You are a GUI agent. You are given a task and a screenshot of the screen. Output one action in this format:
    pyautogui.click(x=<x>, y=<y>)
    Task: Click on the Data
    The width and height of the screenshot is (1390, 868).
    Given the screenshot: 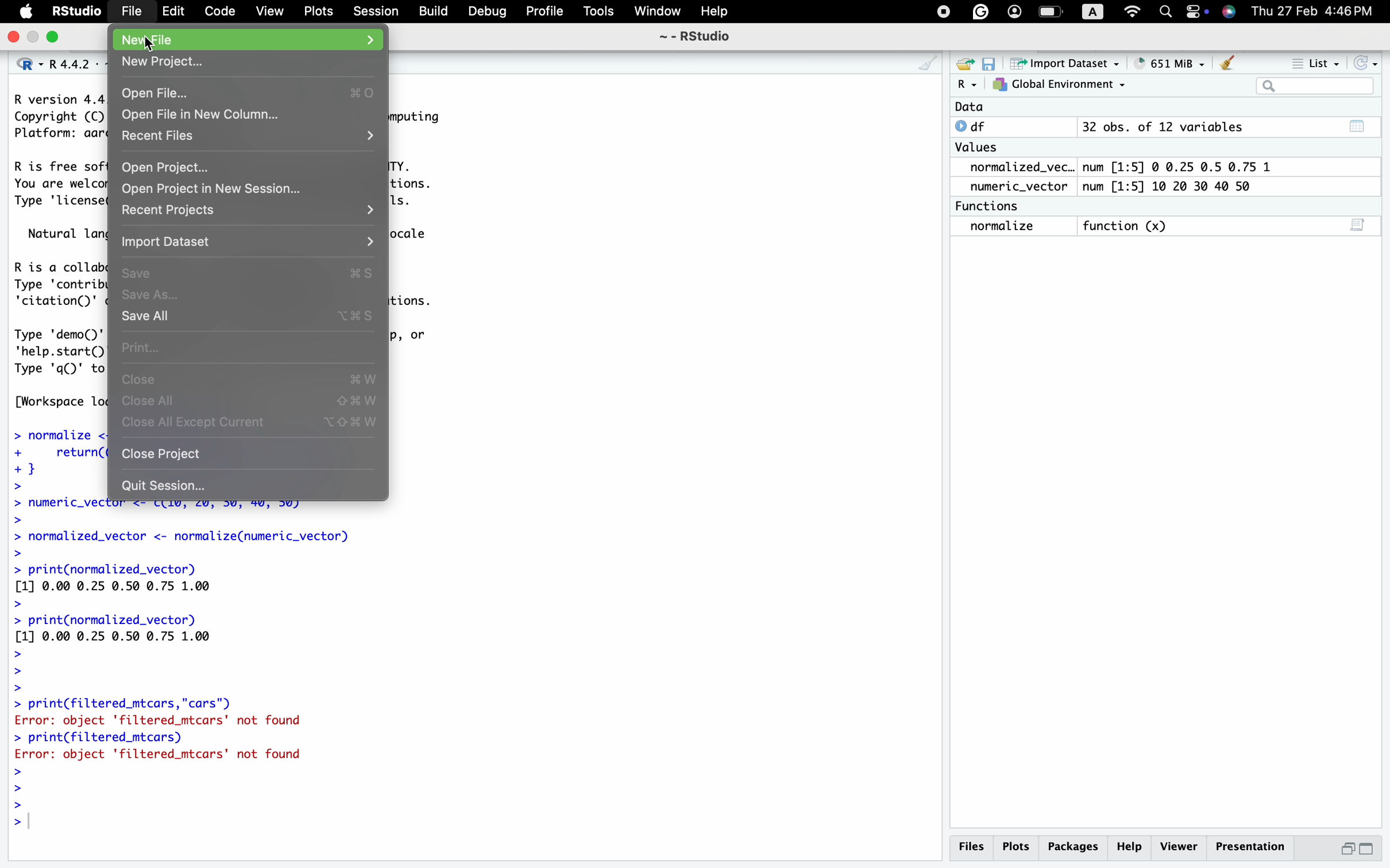 What is the action you would take?
    pyautogui.click(x=1082, y=107)
    